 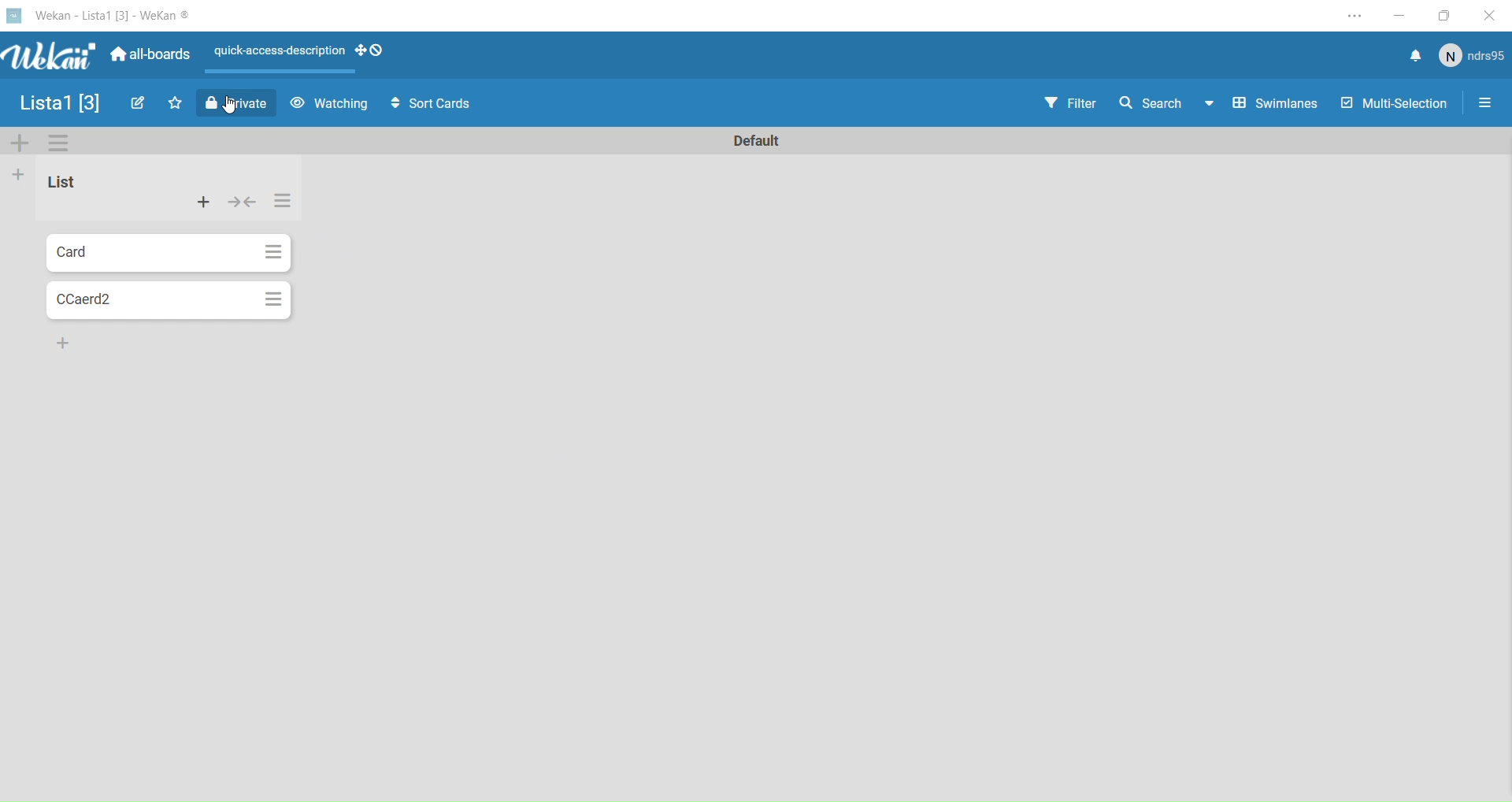 I want to click on Collapse, so click(x=243, y=202).